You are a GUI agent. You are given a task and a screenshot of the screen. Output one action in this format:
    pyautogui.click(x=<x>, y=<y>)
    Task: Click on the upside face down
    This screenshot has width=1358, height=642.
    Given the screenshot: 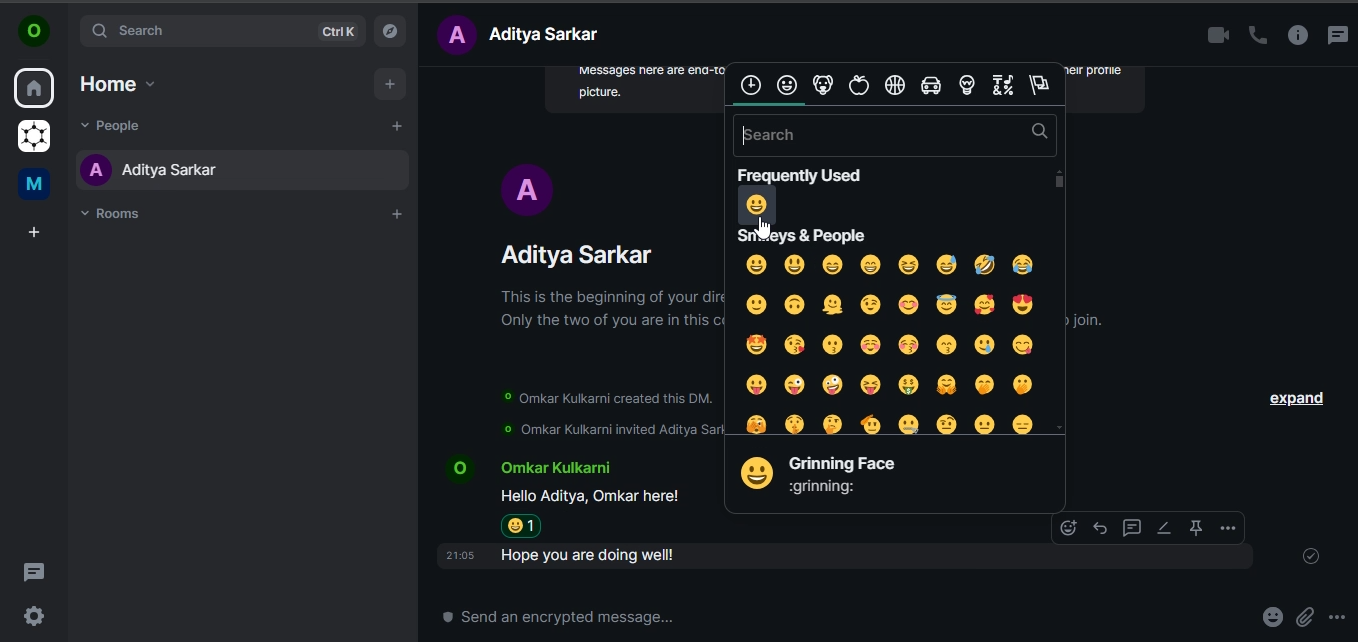 What is the action you would take?
    pyautogui.click(x=794, y=305)
    